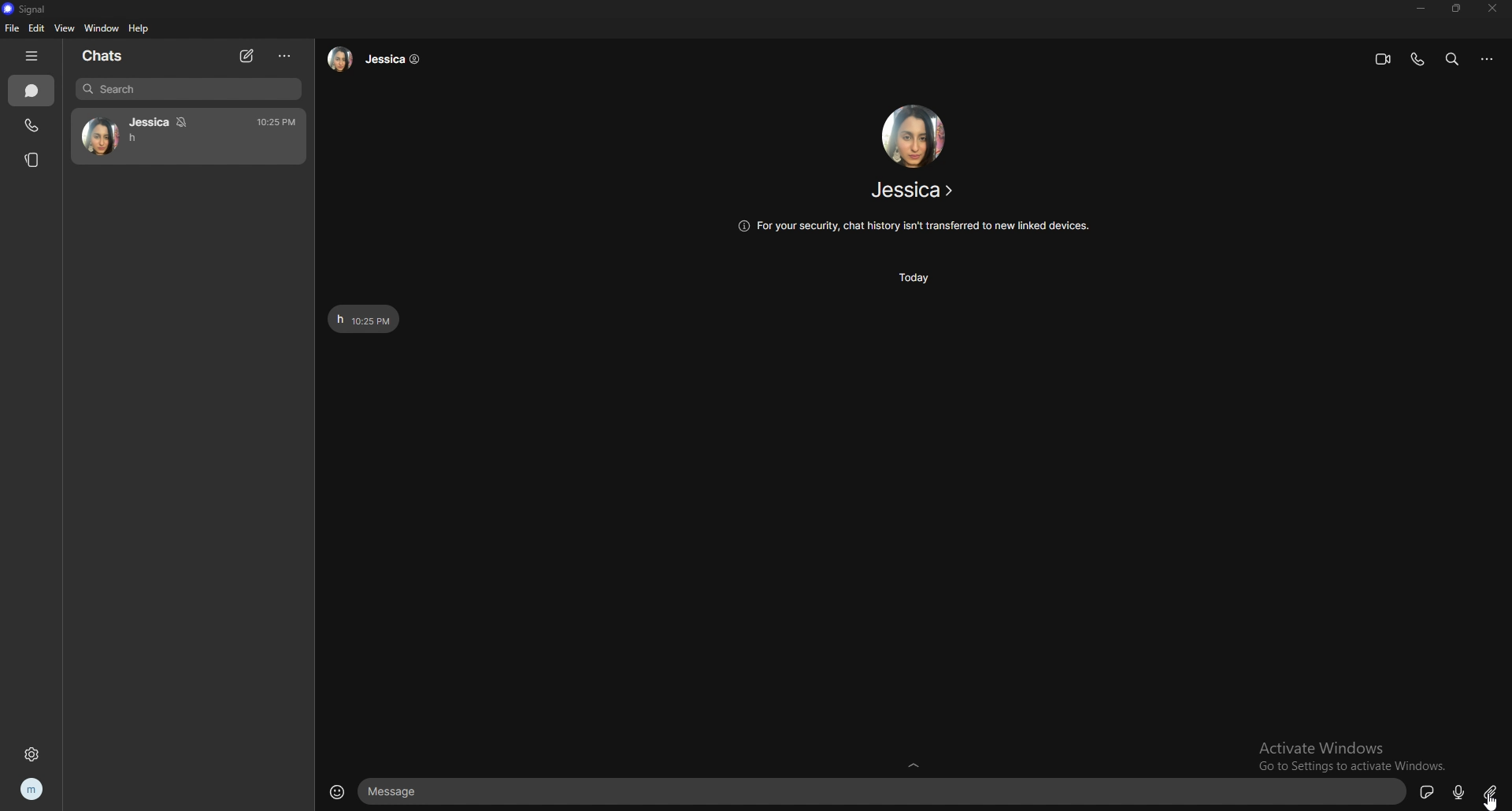  Describe the element at coordinates (188, 89) in the screenshot. I see `search` at that location.